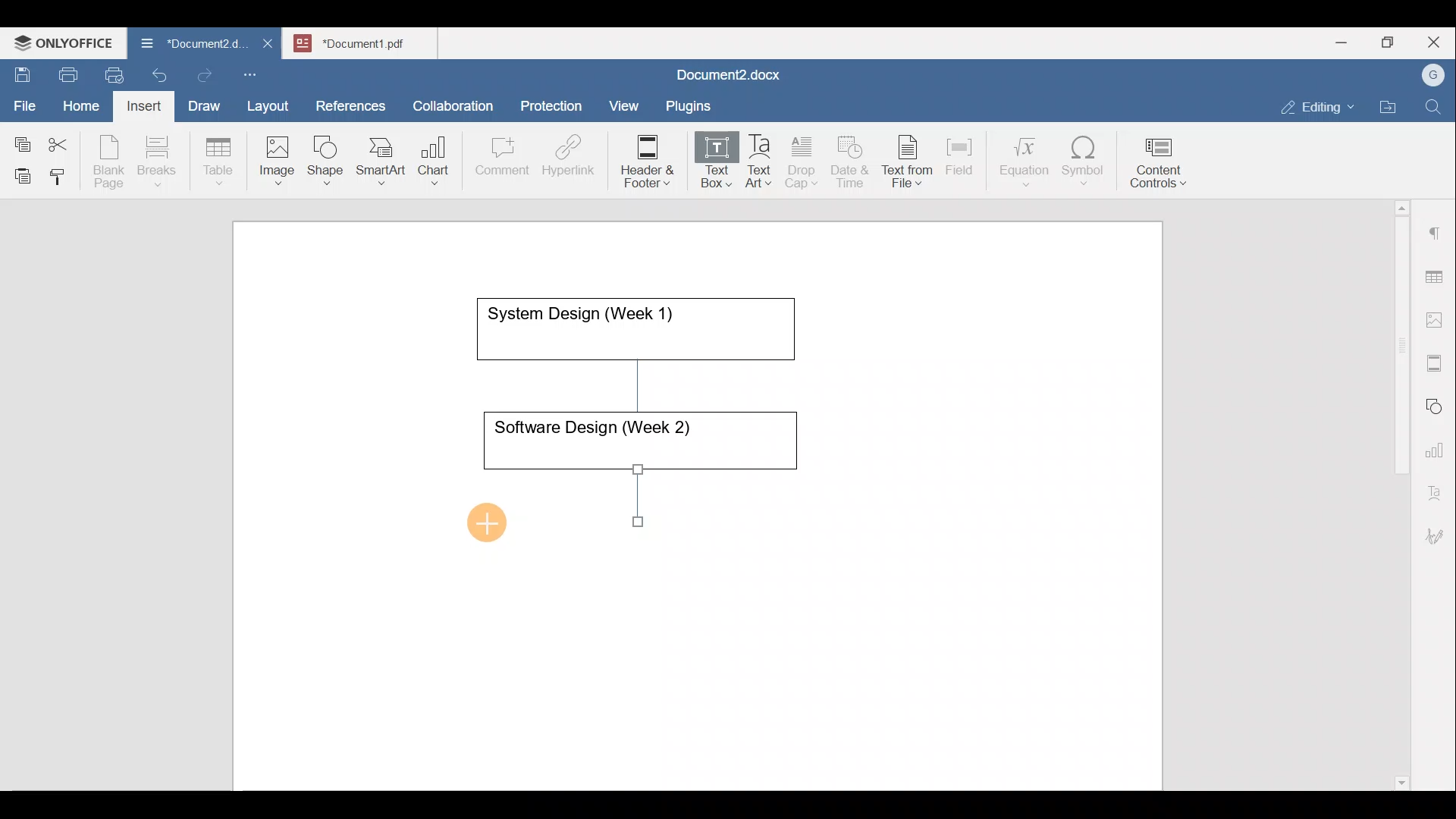 The width and height of the screenshot is (1456, 819). I want to click on Comment, so click(497, 160).